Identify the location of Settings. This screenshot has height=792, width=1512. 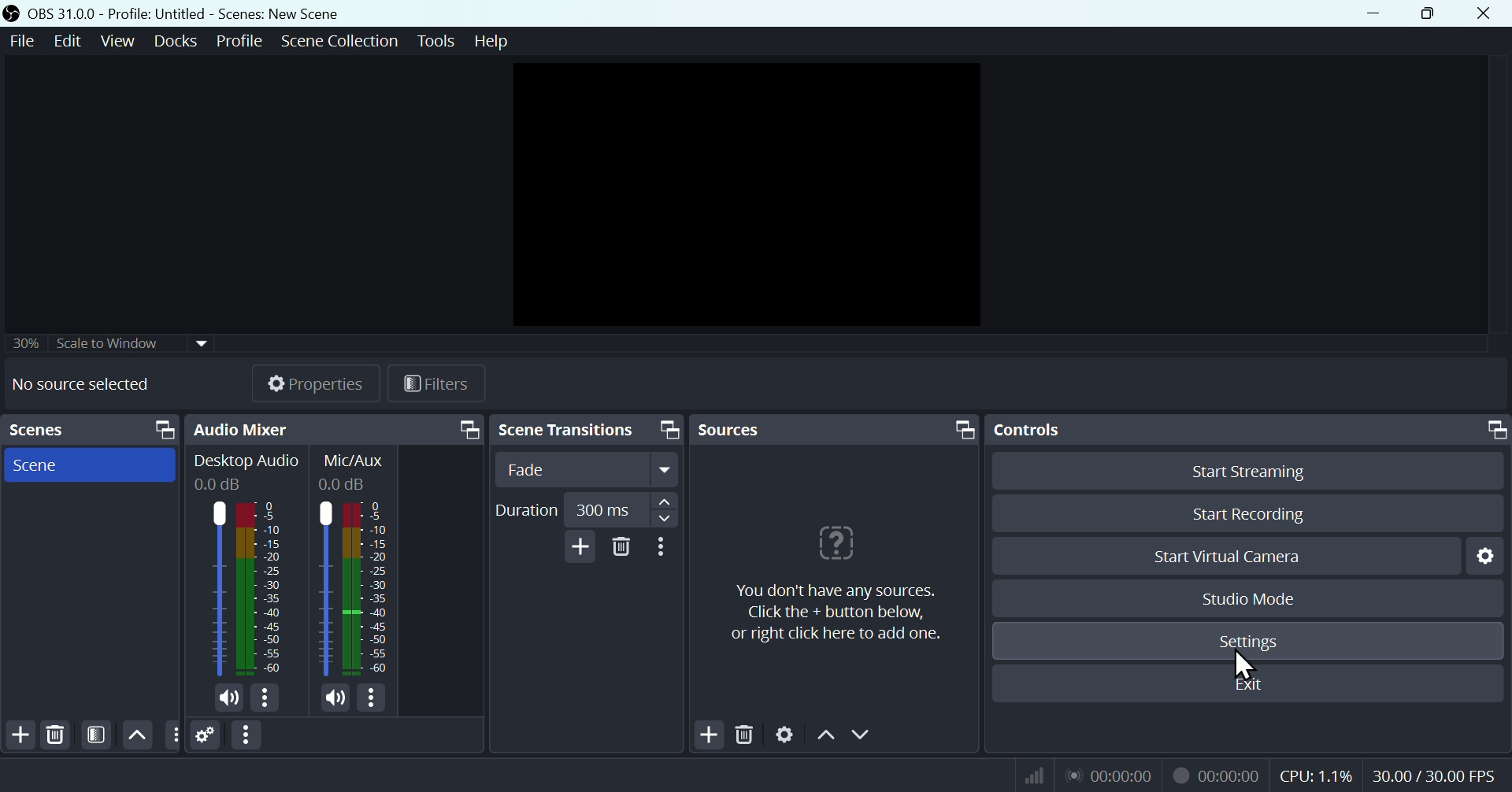
(206, 735).